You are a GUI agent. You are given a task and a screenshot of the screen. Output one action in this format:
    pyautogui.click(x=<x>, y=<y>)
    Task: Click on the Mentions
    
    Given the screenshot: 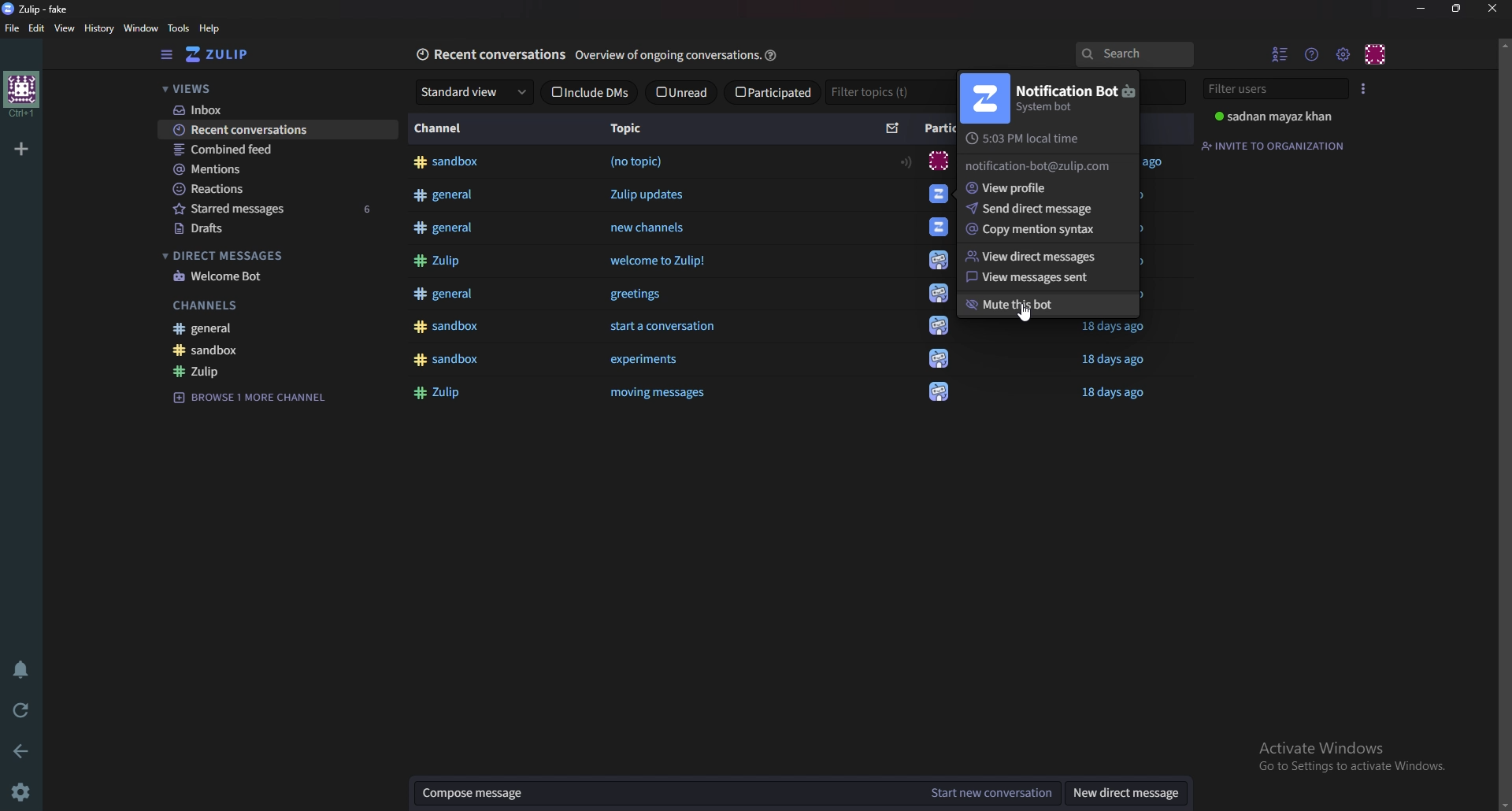 What is the action you would take?
    pyautogui.click(x=269, y=168)
    